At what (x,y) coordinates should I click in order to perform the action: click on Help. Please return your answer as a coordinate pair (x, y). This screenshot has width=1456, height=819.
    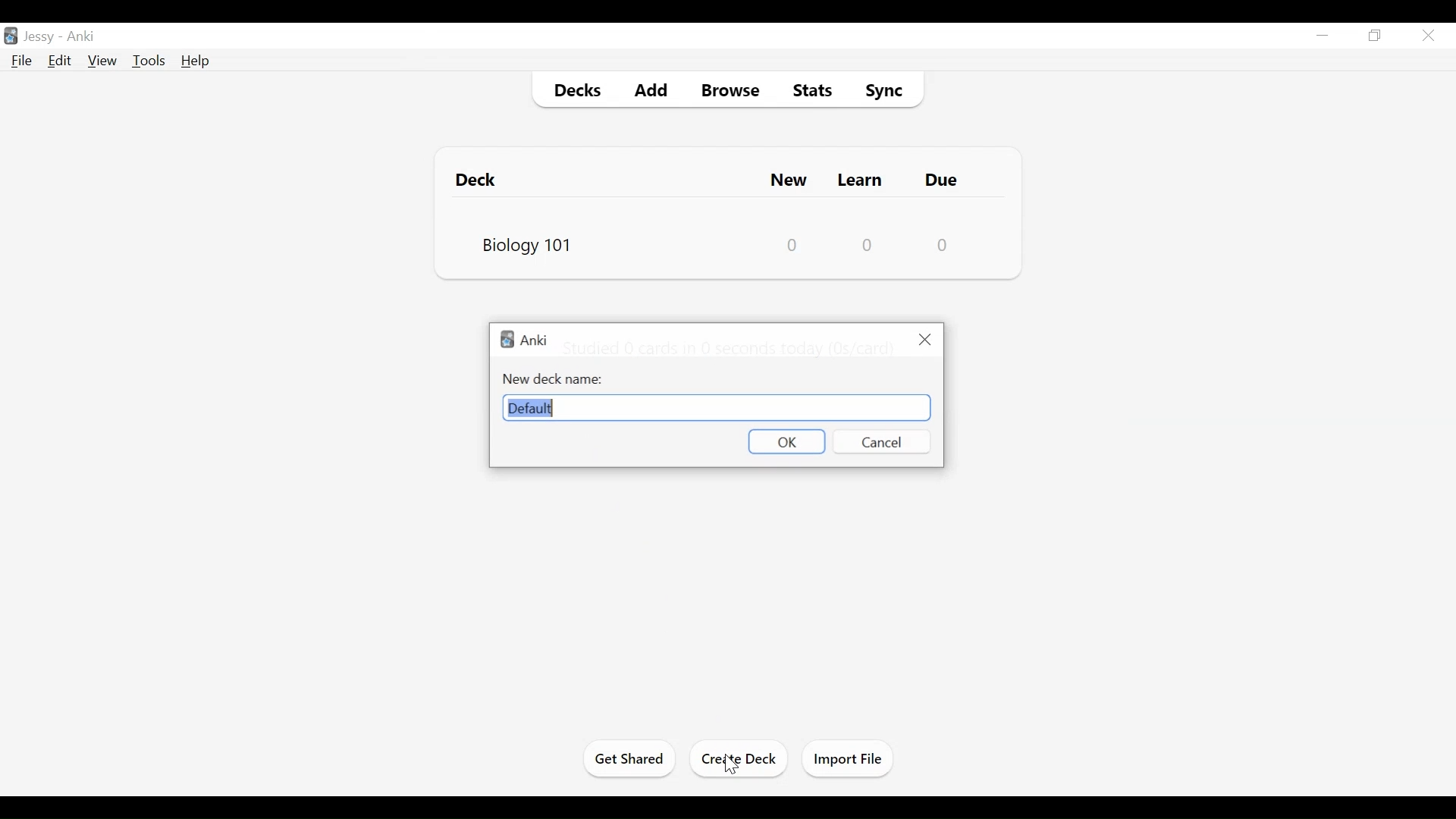
    Looking at the image, I should click on (196, 61).